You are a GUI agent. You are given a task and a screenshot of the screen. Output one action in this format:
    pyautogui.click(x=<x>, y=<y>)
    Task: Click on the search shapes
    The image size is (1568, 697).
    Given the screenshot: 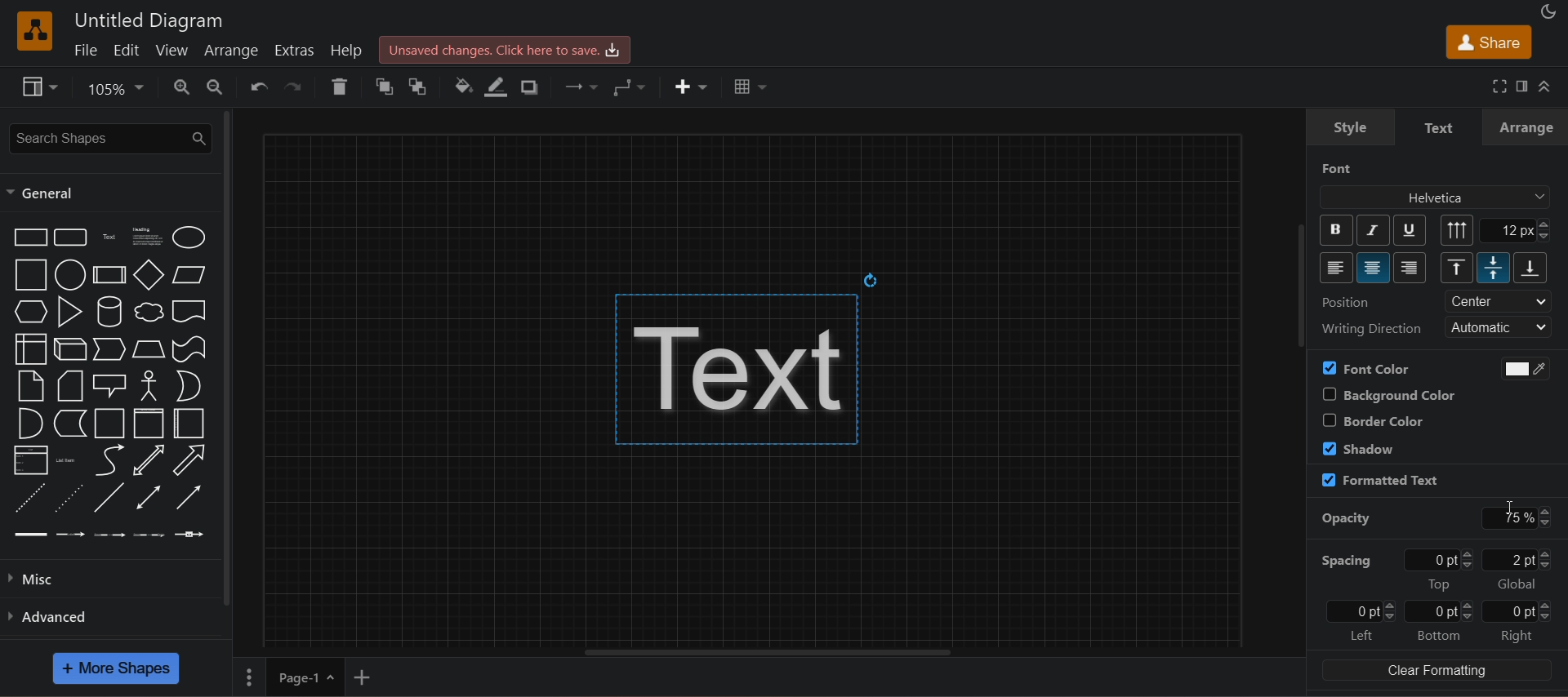 What is the action you would take?
    pyautogui.click(x=108, y=139)
    